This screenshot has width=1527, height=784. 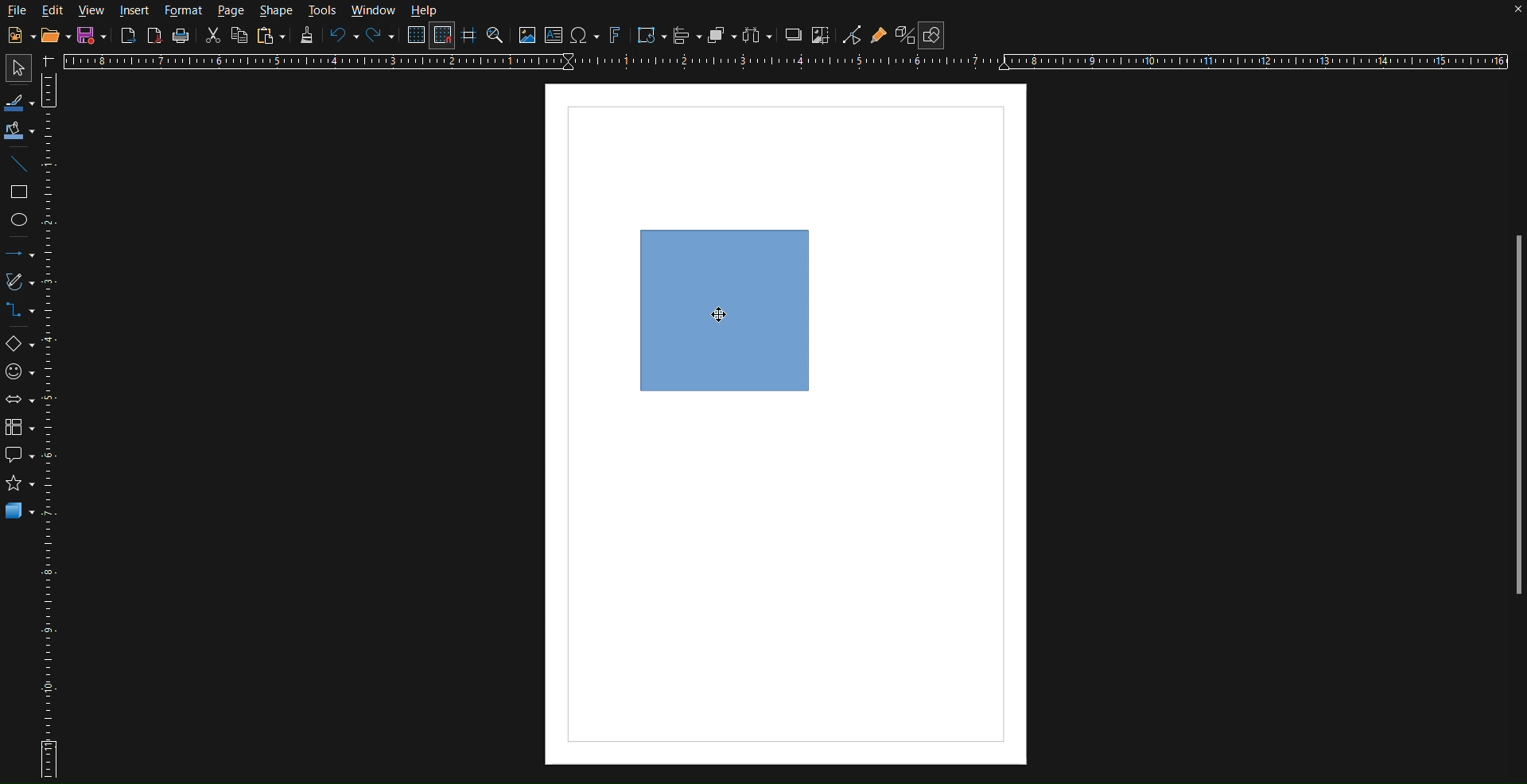 What do you see at coordinates (17, 10) in the screenshot?
I see `File` at bounding box center [17, 10].